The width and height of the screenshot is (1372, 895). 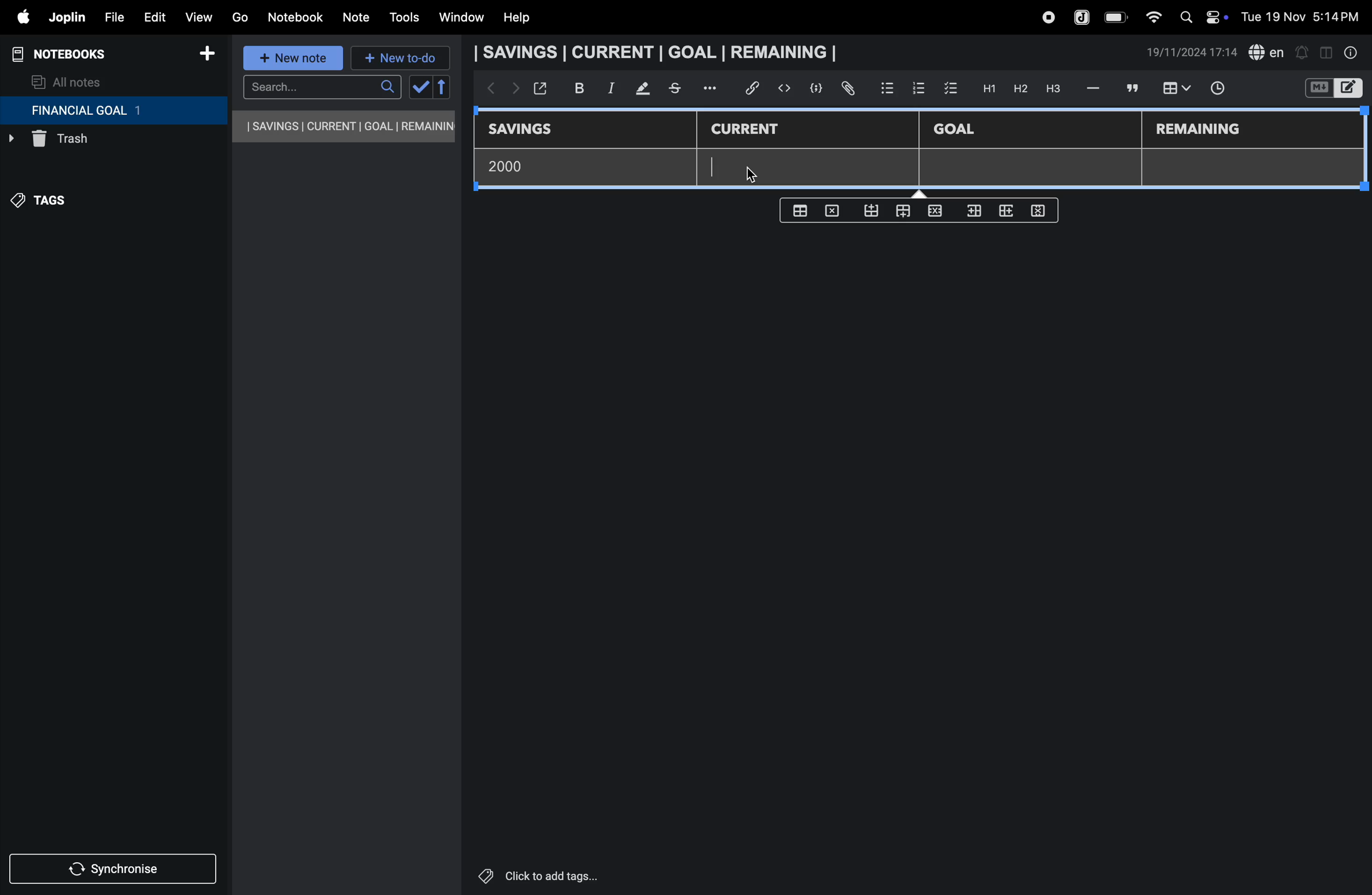 I want to click on from bottom, so click(x=872, y=211).